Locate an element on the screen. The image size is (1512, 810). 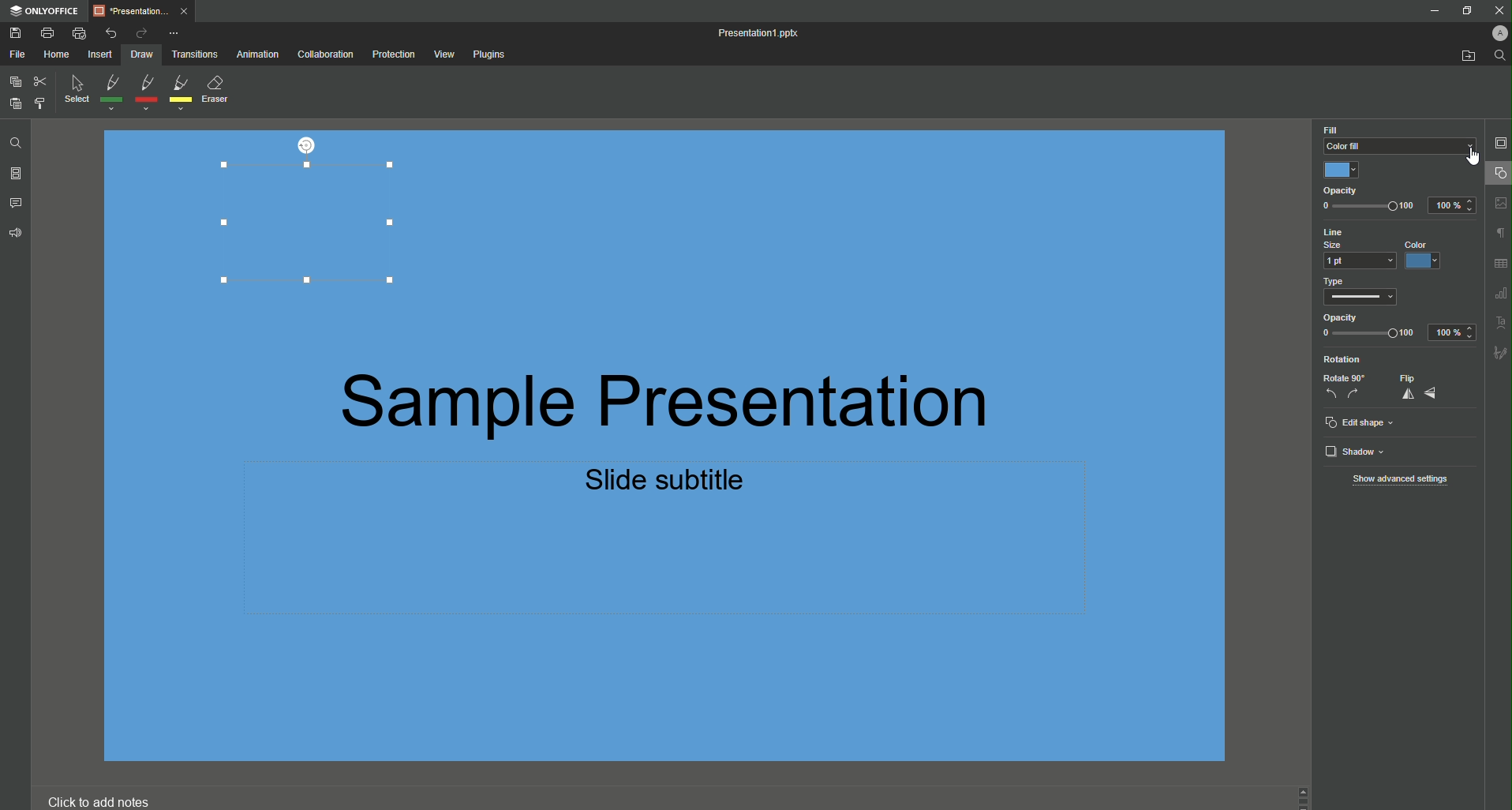
Insert is located at coordinates (99, 55).